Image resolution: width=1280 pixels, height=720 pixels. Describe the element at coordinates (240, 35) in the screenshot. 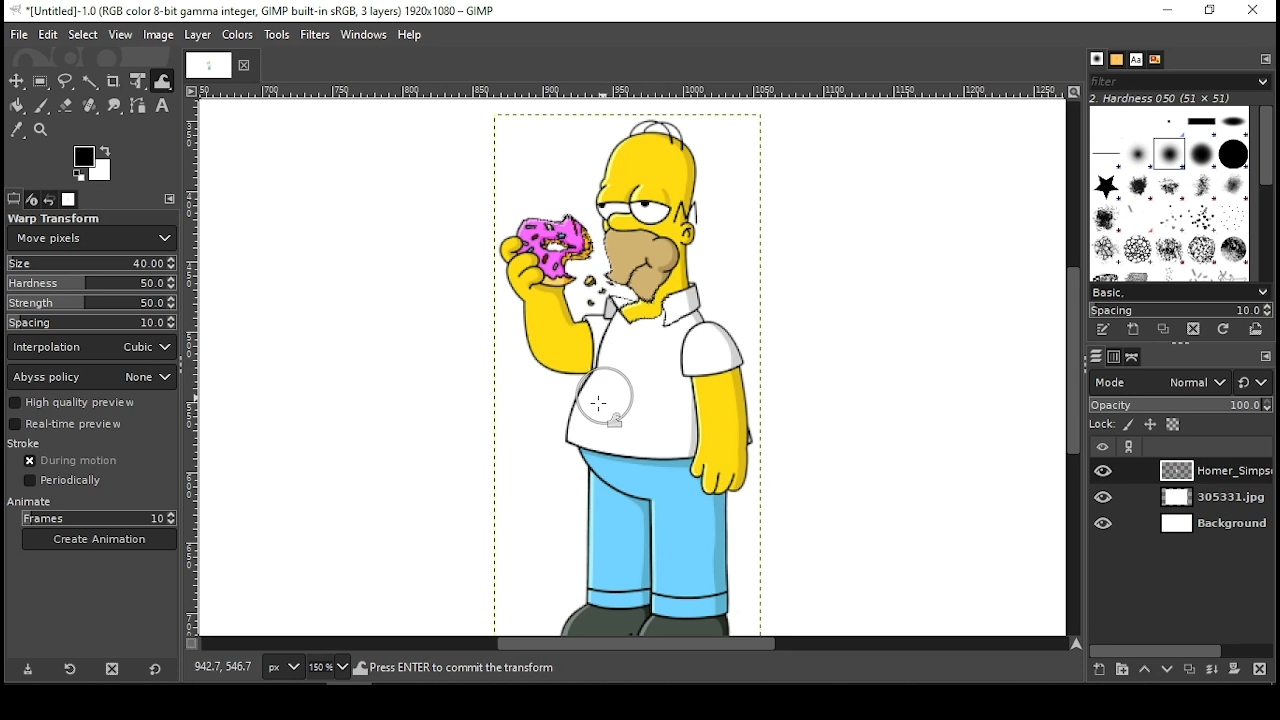

I see `colors` at that location.